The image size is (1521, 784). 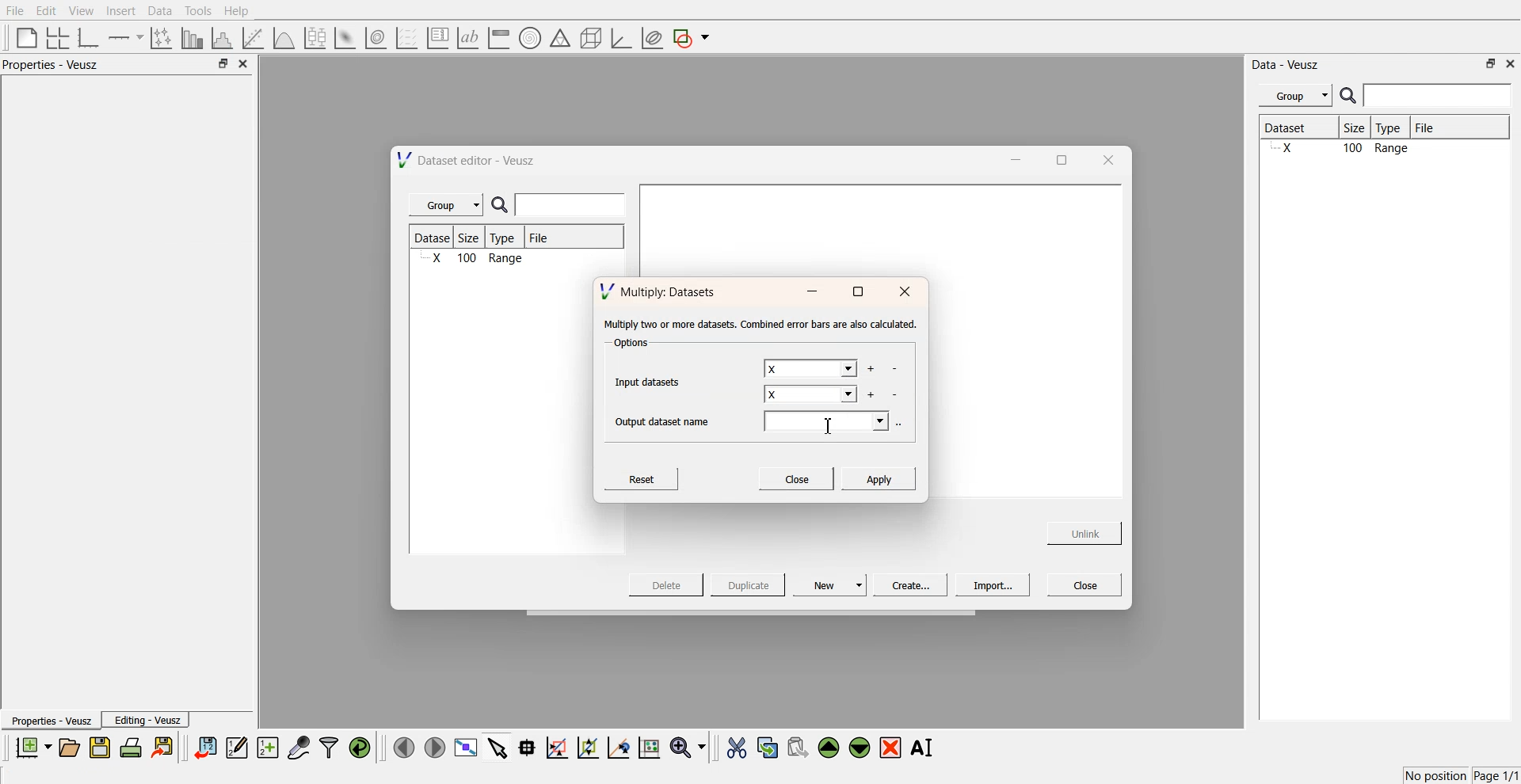 I want to click on Help, so click(x=242, y=13).